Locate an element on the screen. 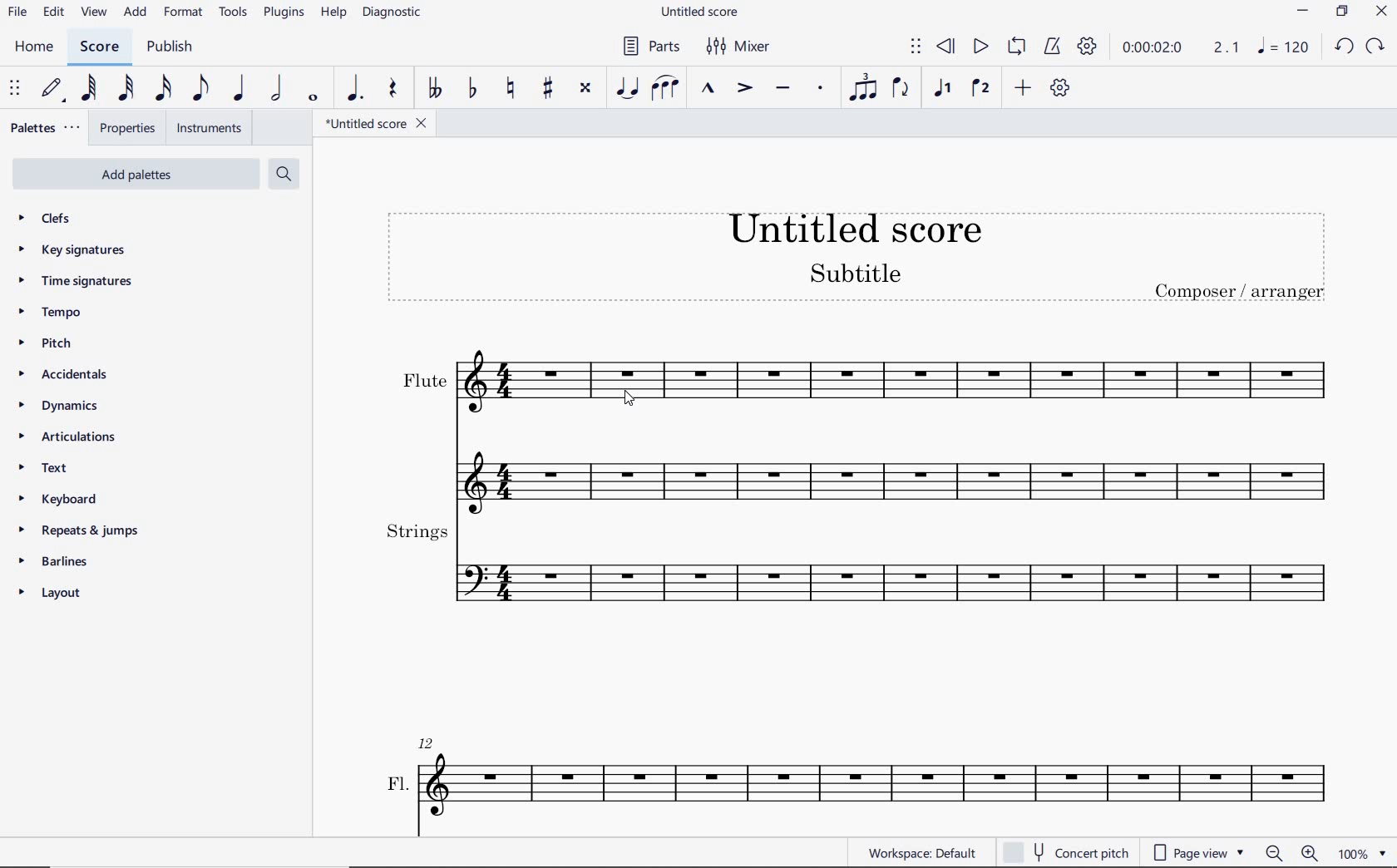 The image size is (1397, 868). close is located at coordinates (1381, 12).